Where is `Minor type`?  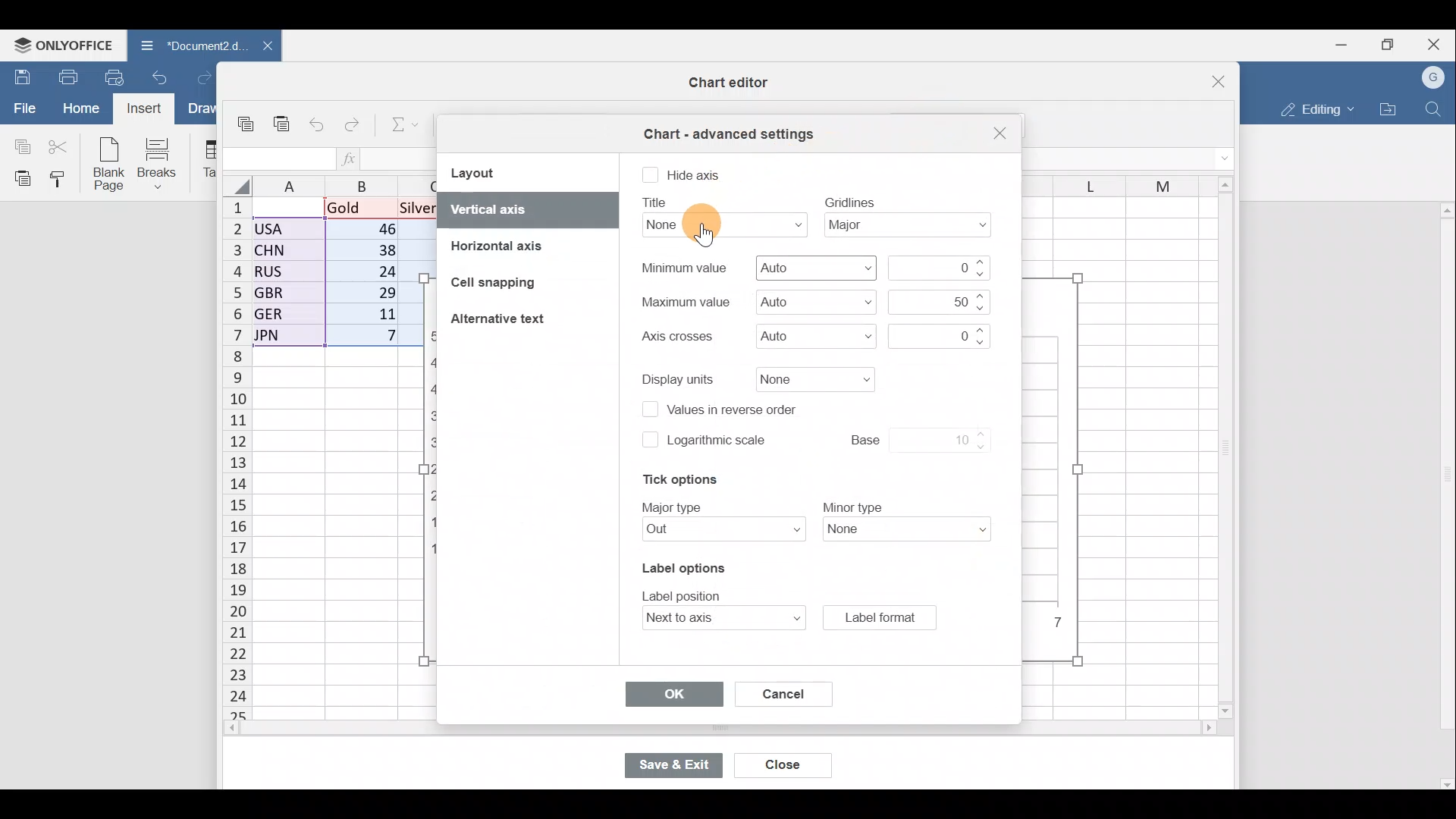
Minor type is located at coordinates (912, 530).